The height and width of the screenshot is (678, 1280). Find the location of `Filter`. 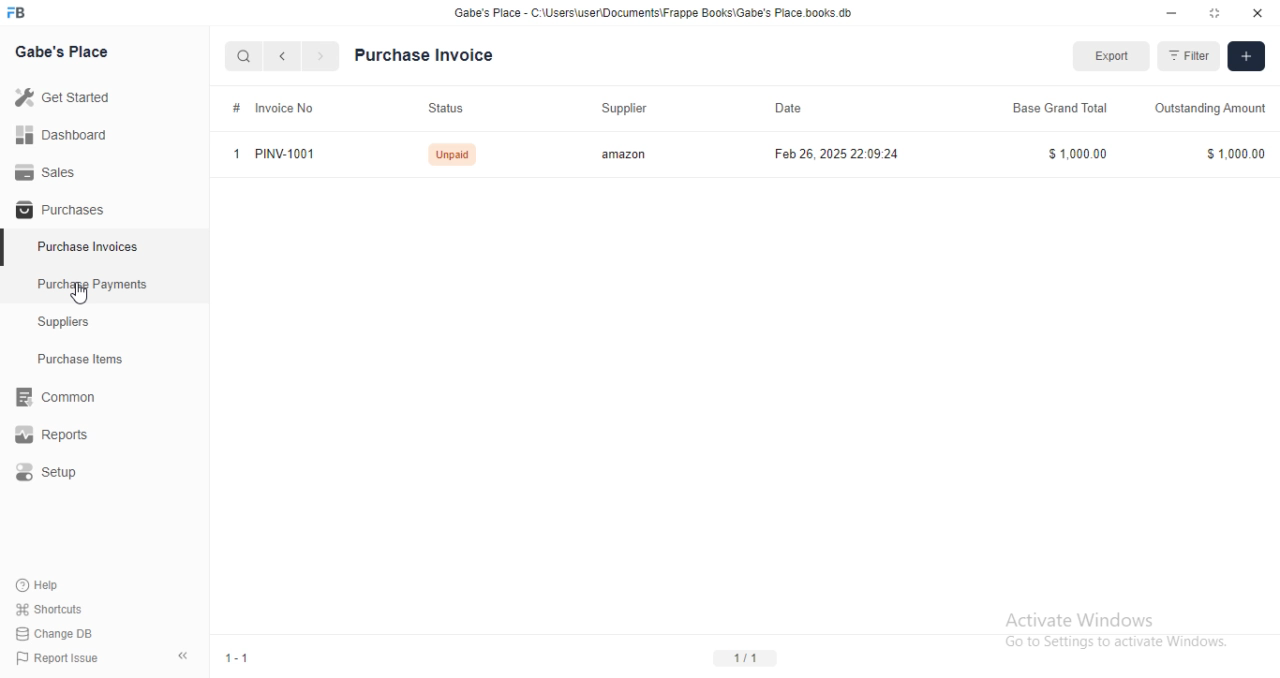

Filter is located at coordinates (1188, 56).